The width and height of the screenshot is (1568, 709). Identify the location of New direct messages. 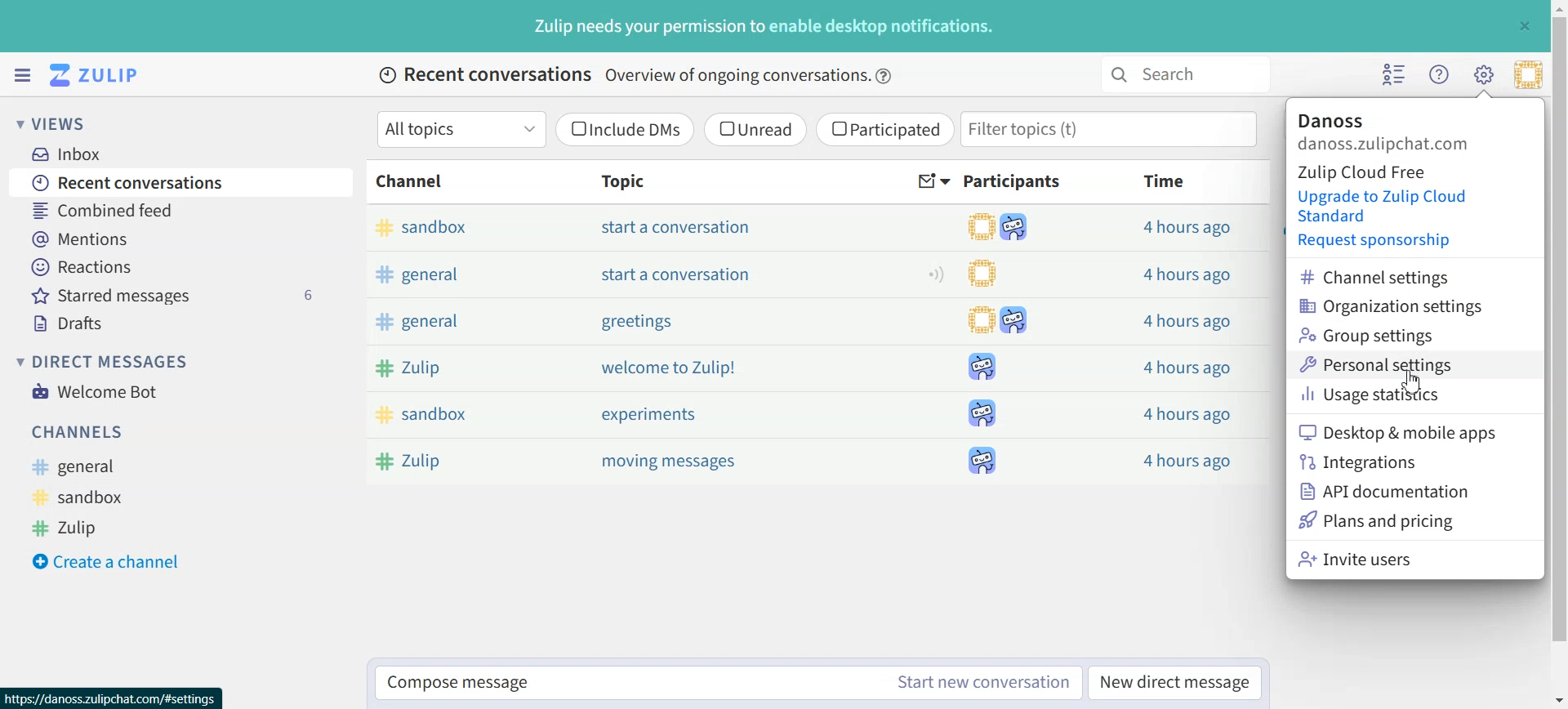
(1174, 681).